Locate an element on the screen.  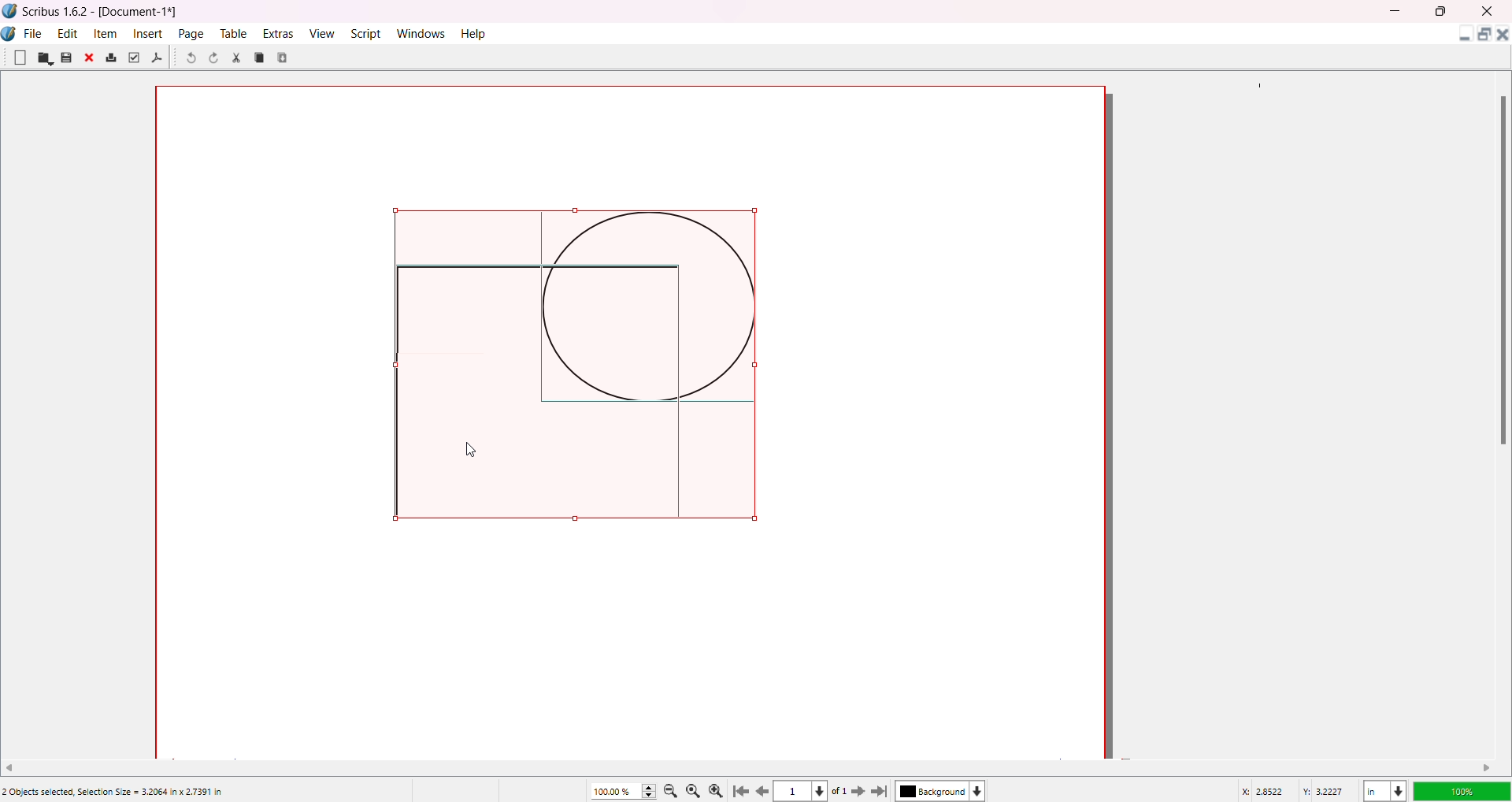
Unit is located at coordinates (1384, 789).